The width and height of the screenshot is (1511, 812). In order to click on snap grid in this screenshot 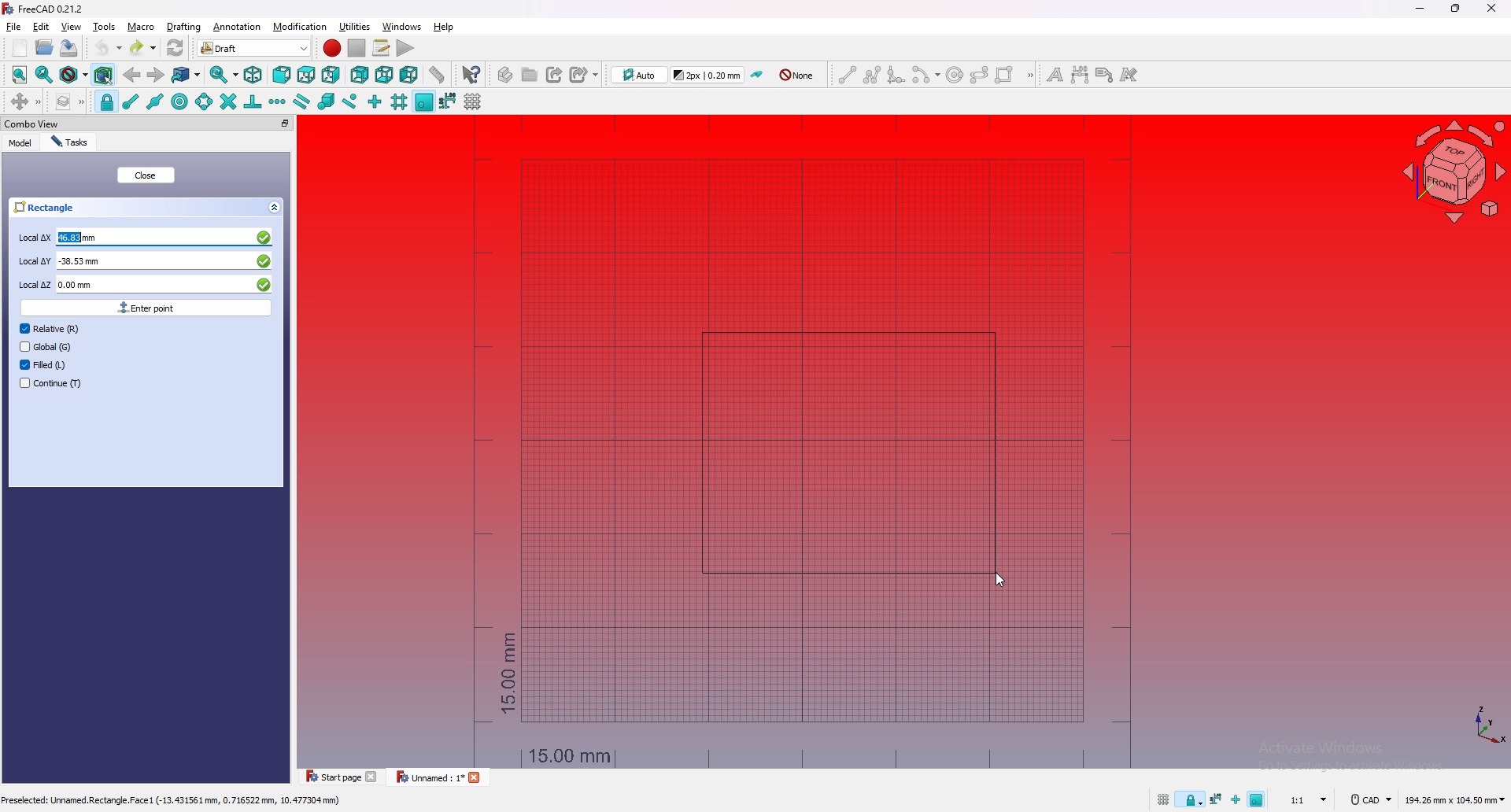, I will do `click(399, 101)`.